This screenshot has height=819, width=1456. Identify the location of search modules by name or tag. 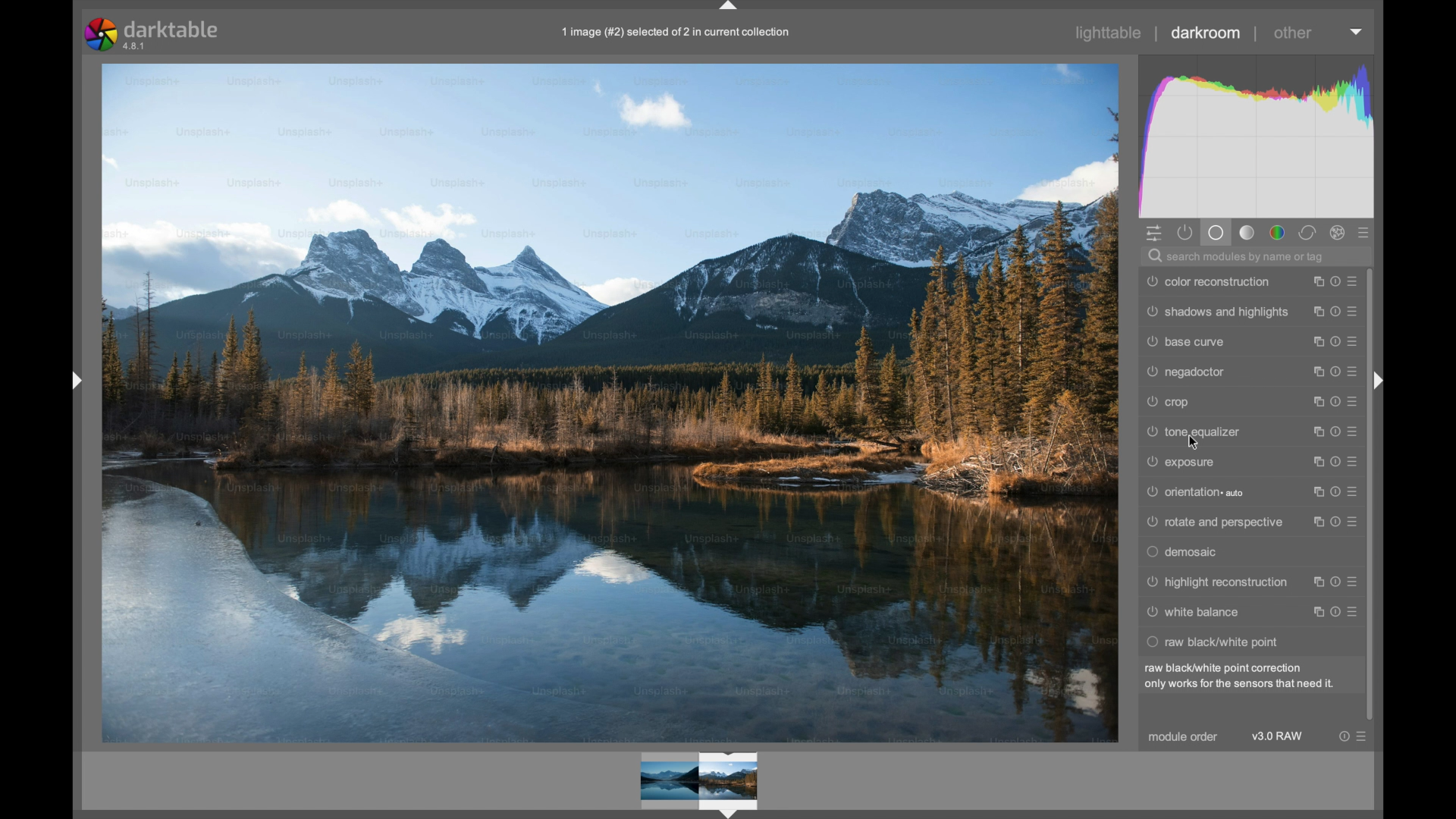
(1238, 258).